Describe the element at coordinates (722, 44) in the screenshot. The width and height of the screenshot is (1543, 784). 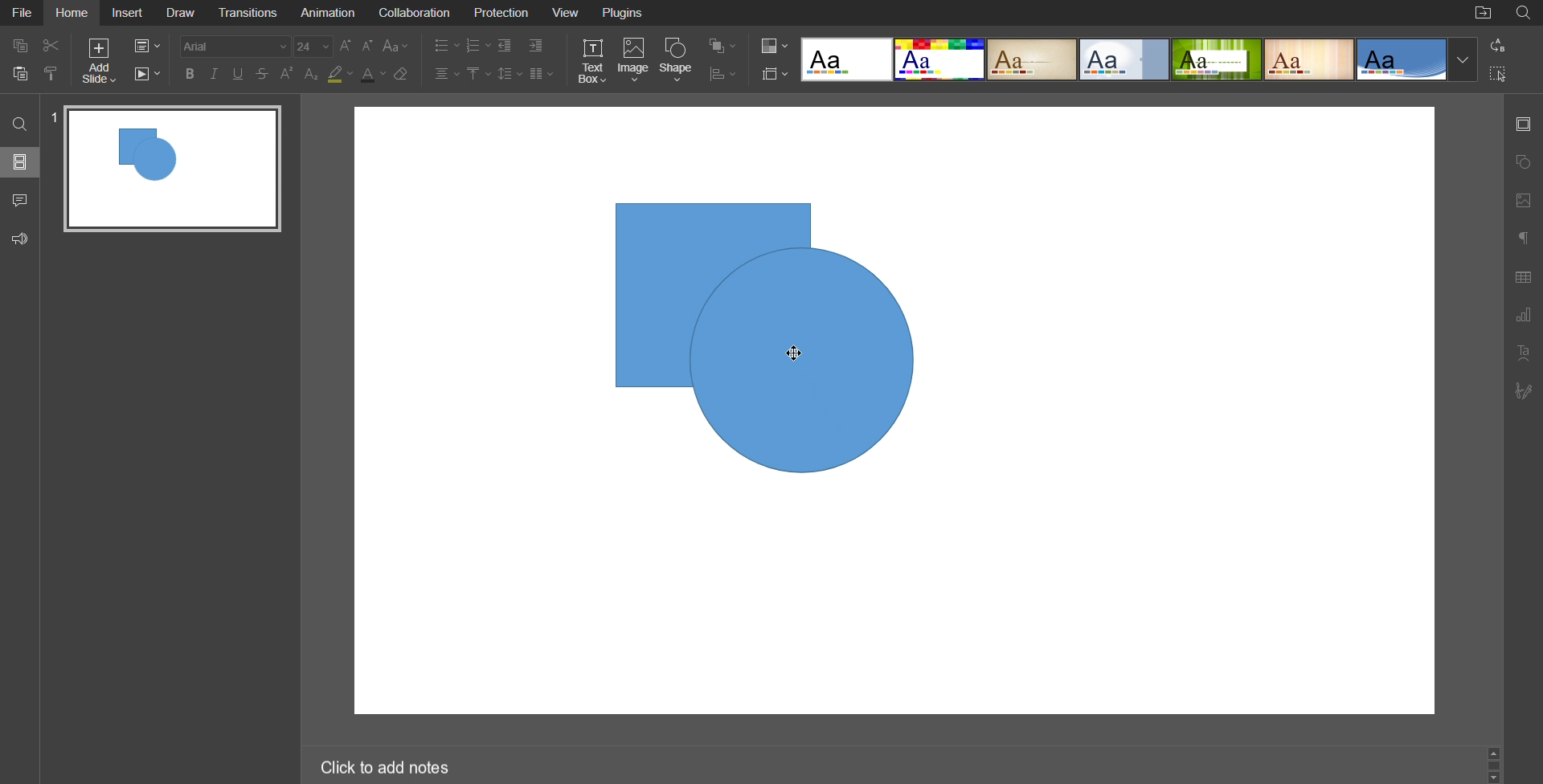
I see `Arrange` at that location.